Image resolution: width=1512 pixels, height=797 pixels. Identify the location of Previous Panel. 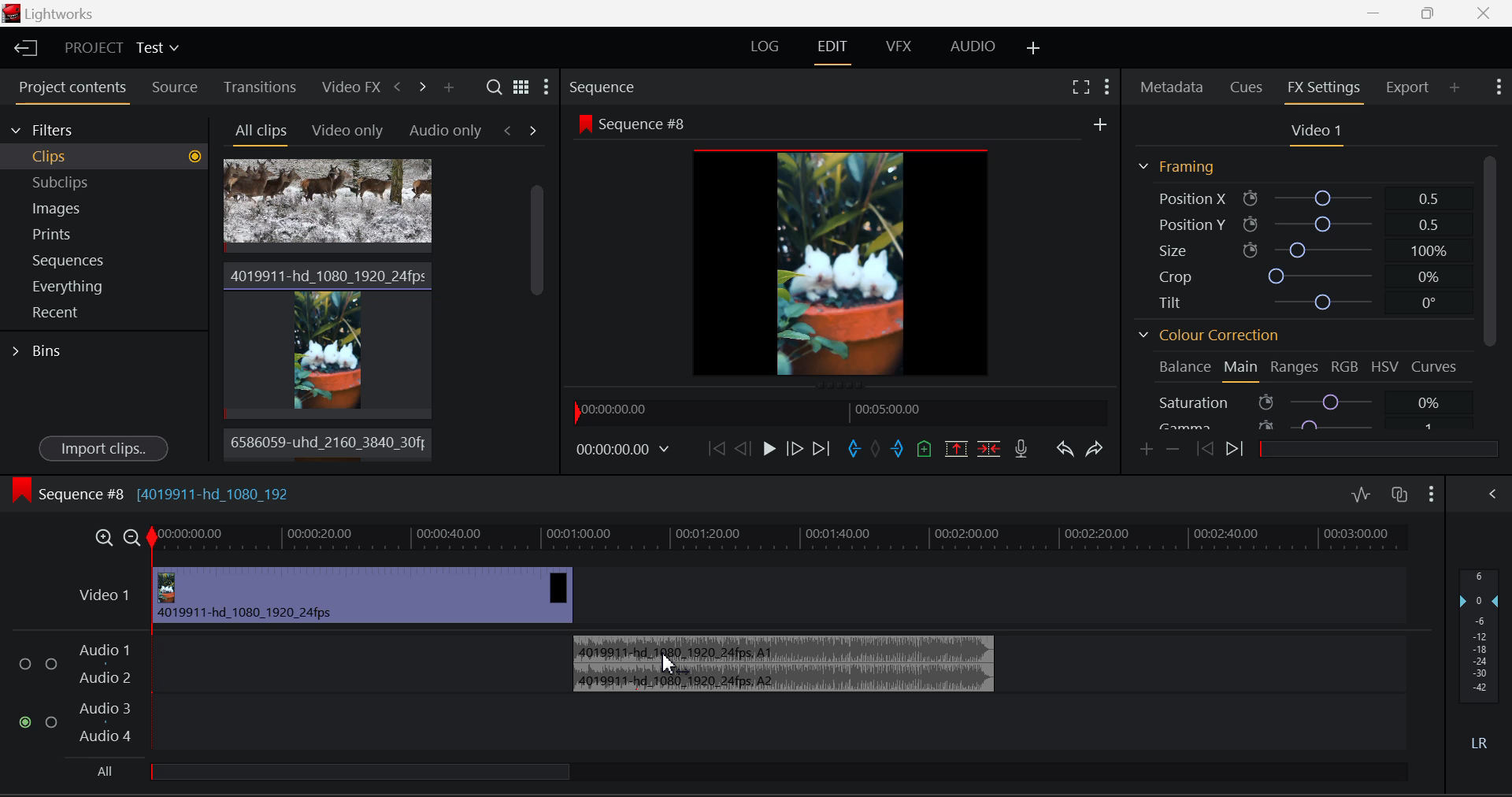
(397, 89).